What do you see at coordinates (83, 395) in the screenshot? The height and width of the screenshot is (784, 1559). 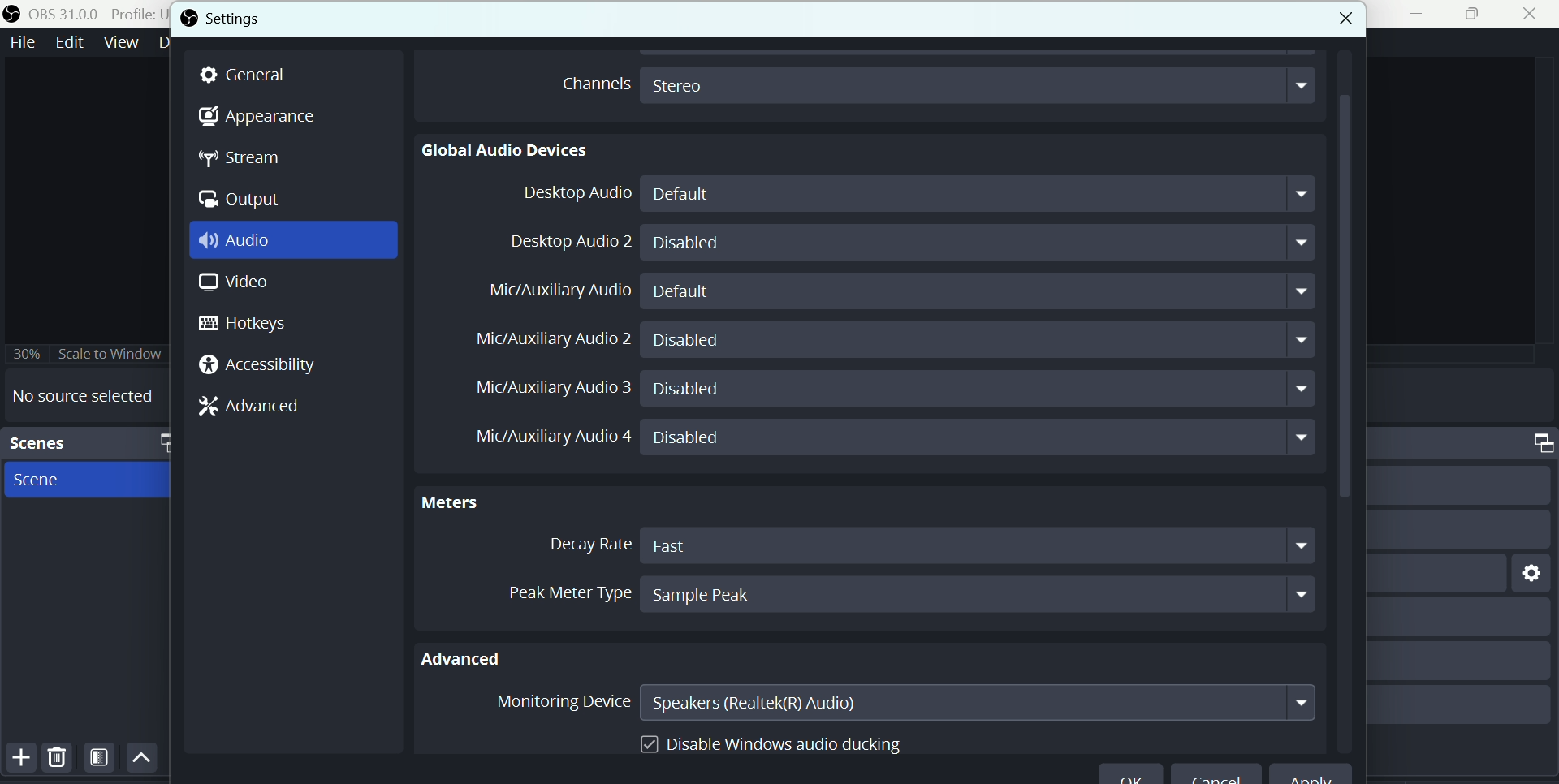 I see `No source selected` at bounding box center [83, 395].